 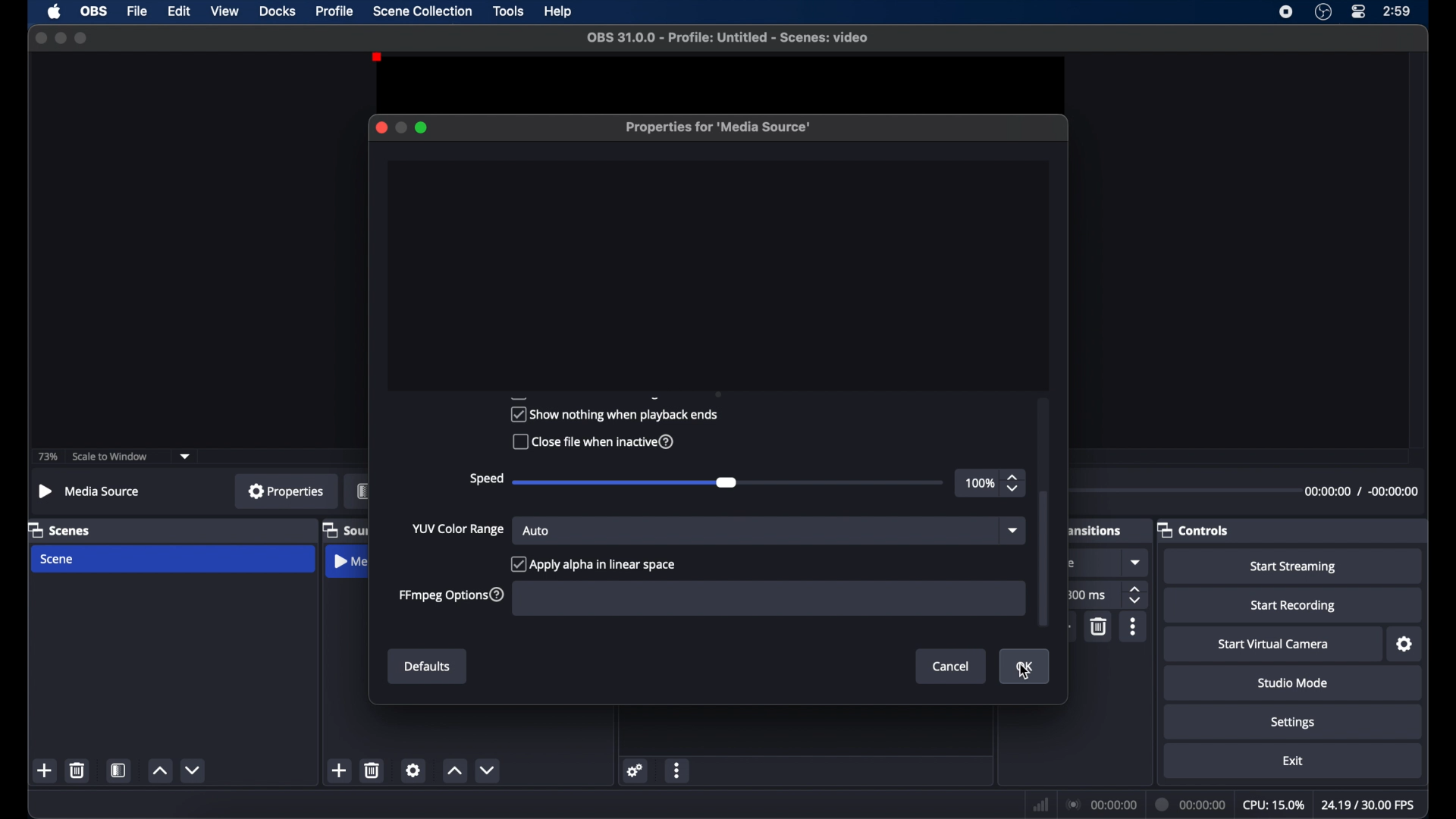 I want to click on file, so click(x=138, y=12).